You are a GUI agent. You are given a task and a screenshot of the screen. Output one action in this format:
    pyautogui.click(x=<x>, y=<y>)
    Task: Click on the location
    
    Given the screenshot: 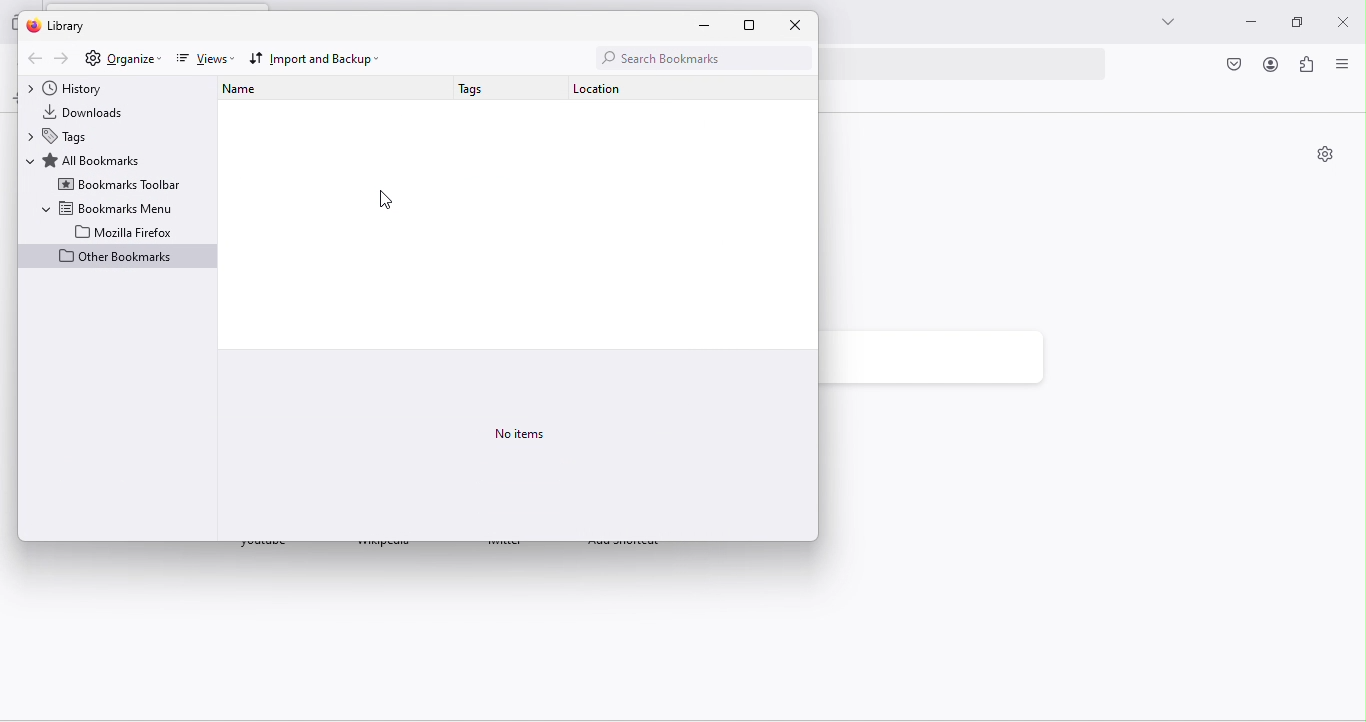 What is the action you would take?
    pyautogui.click(x=591, y=90)
    